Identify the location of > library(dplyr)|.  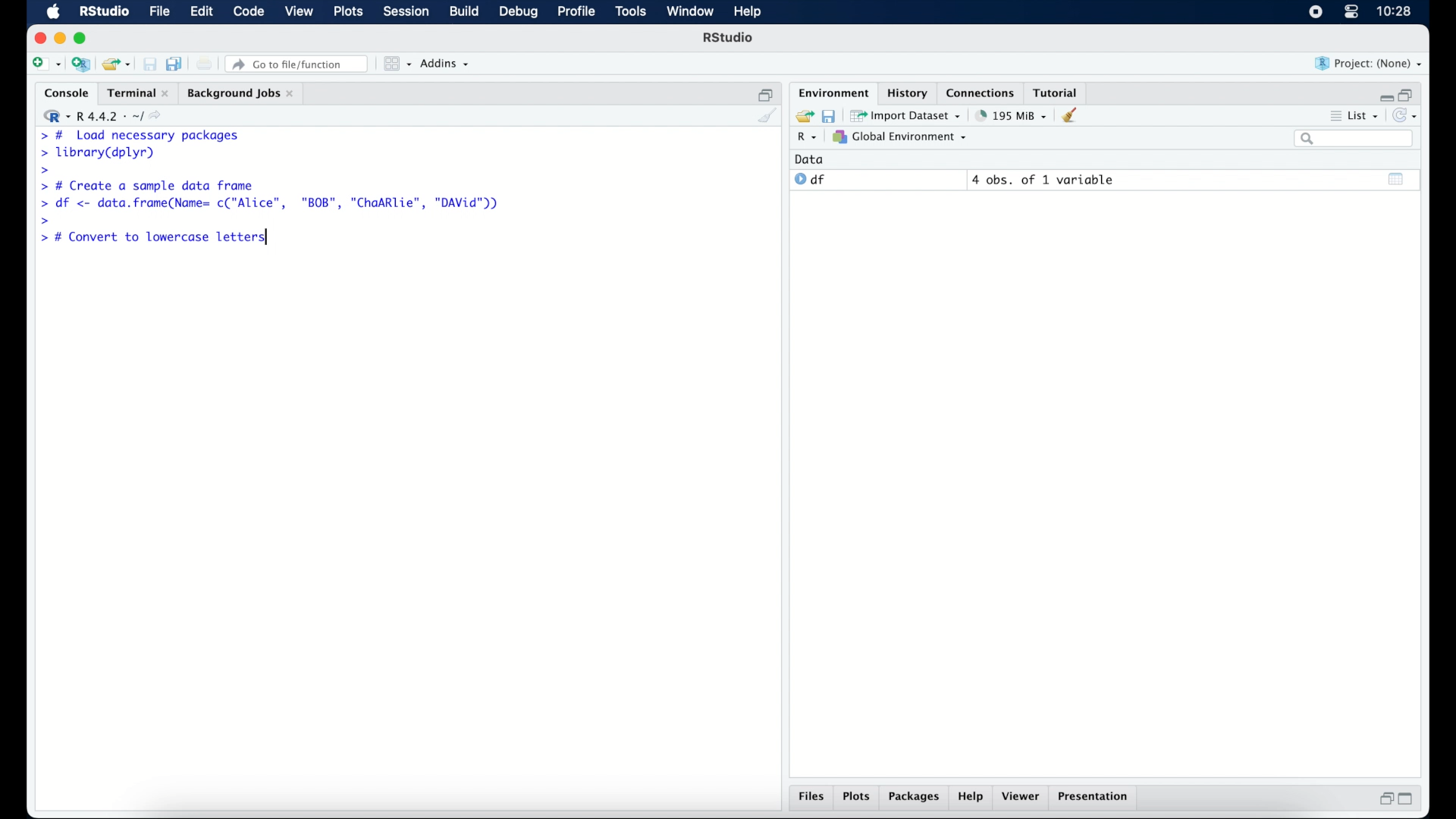
(101, 153).